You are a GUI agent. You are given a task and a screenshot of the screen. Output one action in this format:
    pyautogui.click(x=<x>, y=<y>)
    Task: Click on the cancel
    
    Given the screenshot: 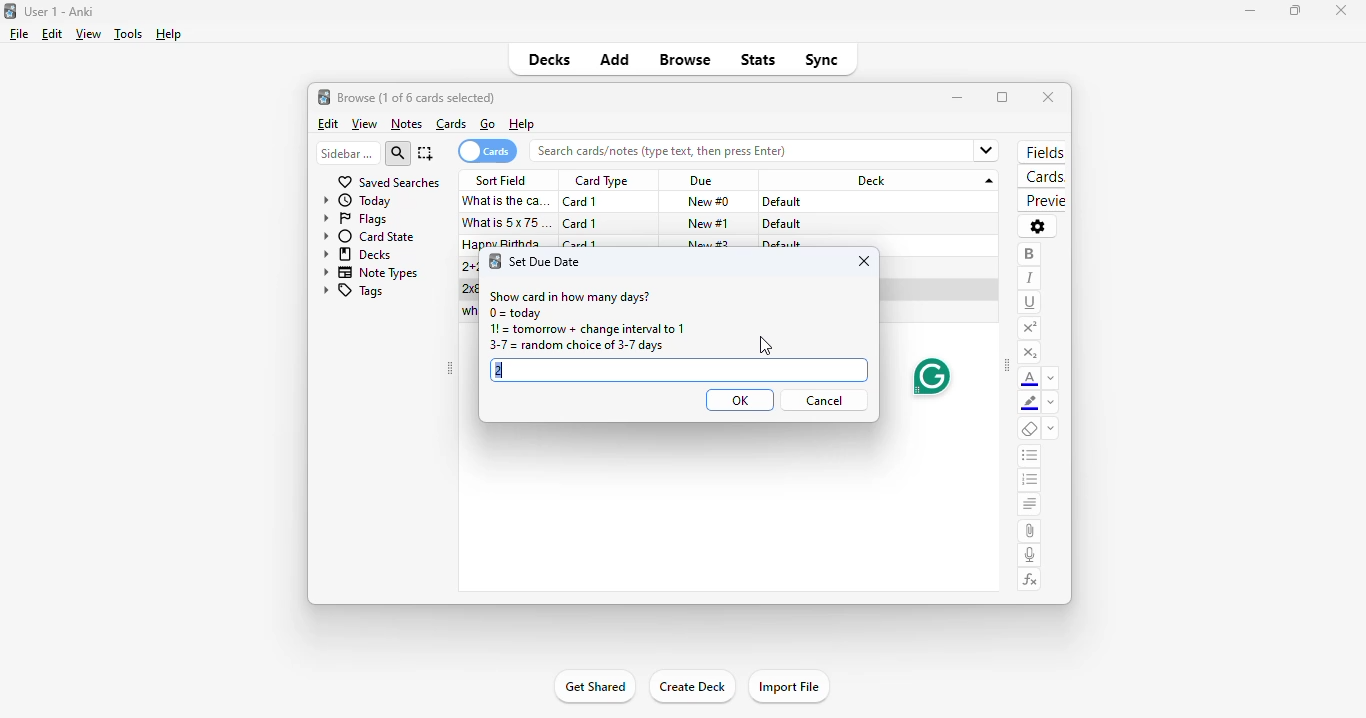 What is the action you would take?
    pyautogui.click(x=825, y=401)
    